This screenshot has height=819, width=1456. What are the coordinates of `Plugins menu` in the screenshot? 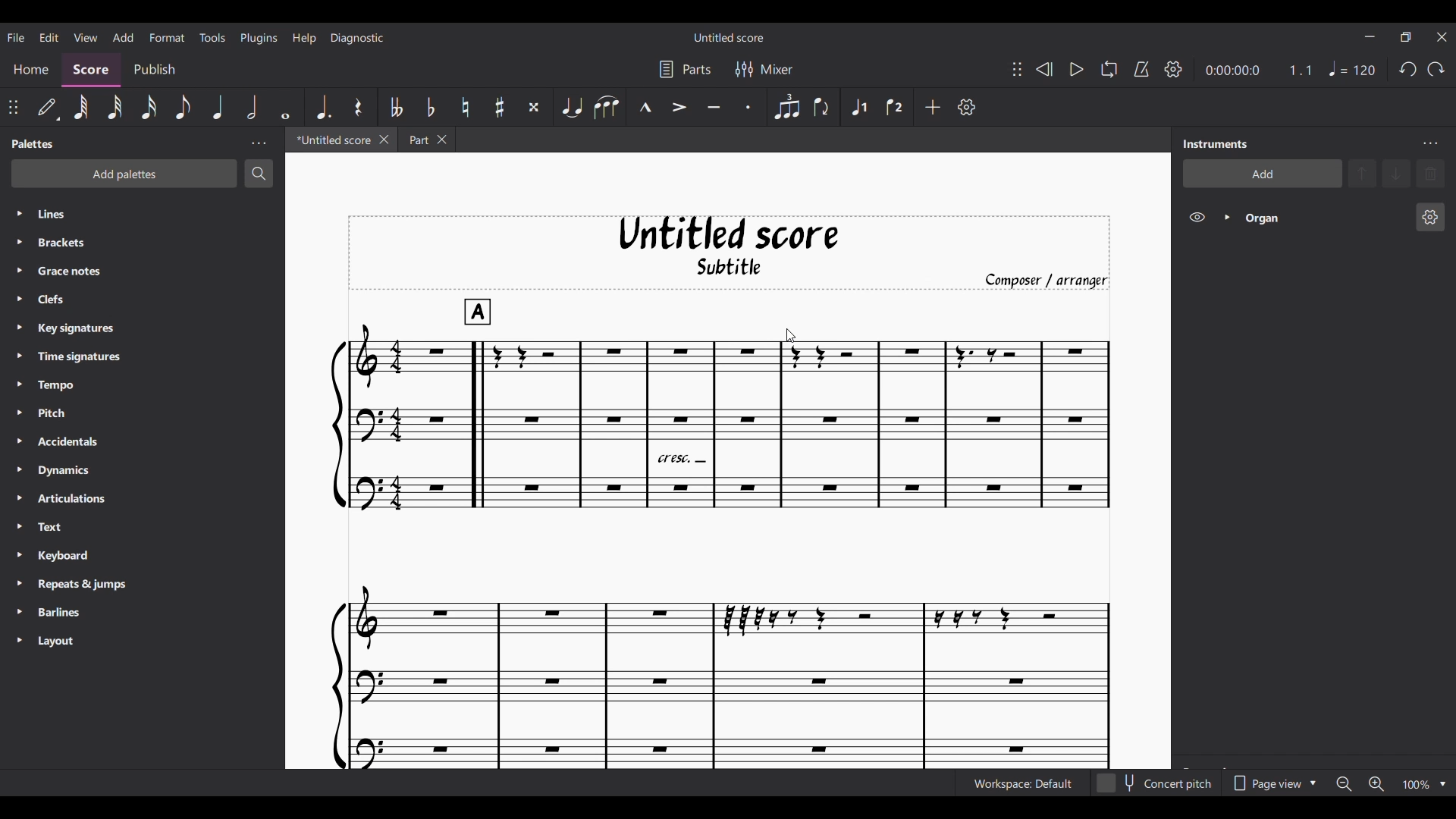 It's located at (259, 36).